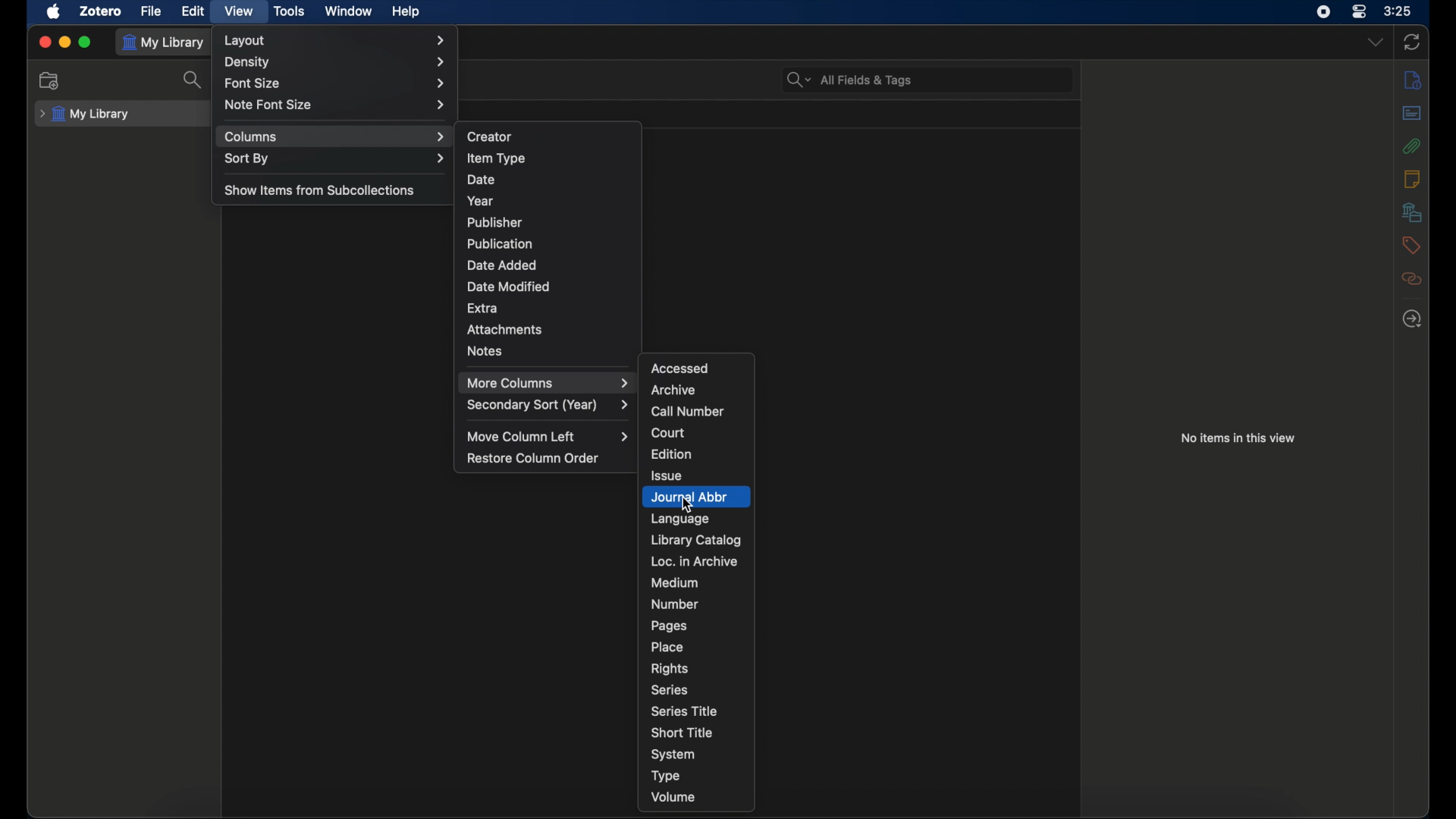 This screenshot has width=1456, height=819. Describe the element at coordinates (693, 562) in the screenshot. I see `loc. in archive` at that location.